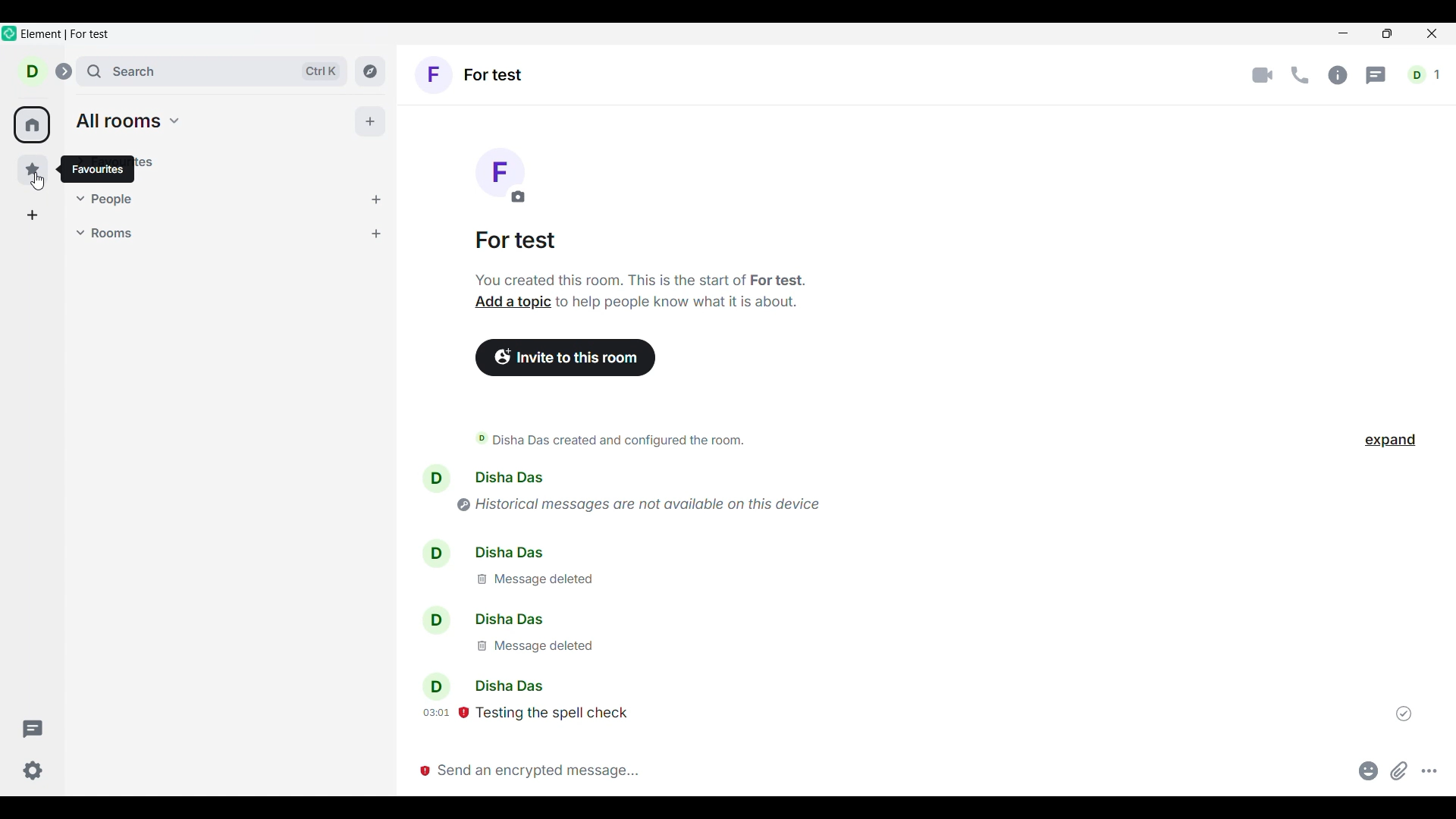 The height and width of the screenshot is (819, 1456). What do you see at coordinates (33, 170) in the screenshot?
I see `Favourites` at bounding box center [33, 170].